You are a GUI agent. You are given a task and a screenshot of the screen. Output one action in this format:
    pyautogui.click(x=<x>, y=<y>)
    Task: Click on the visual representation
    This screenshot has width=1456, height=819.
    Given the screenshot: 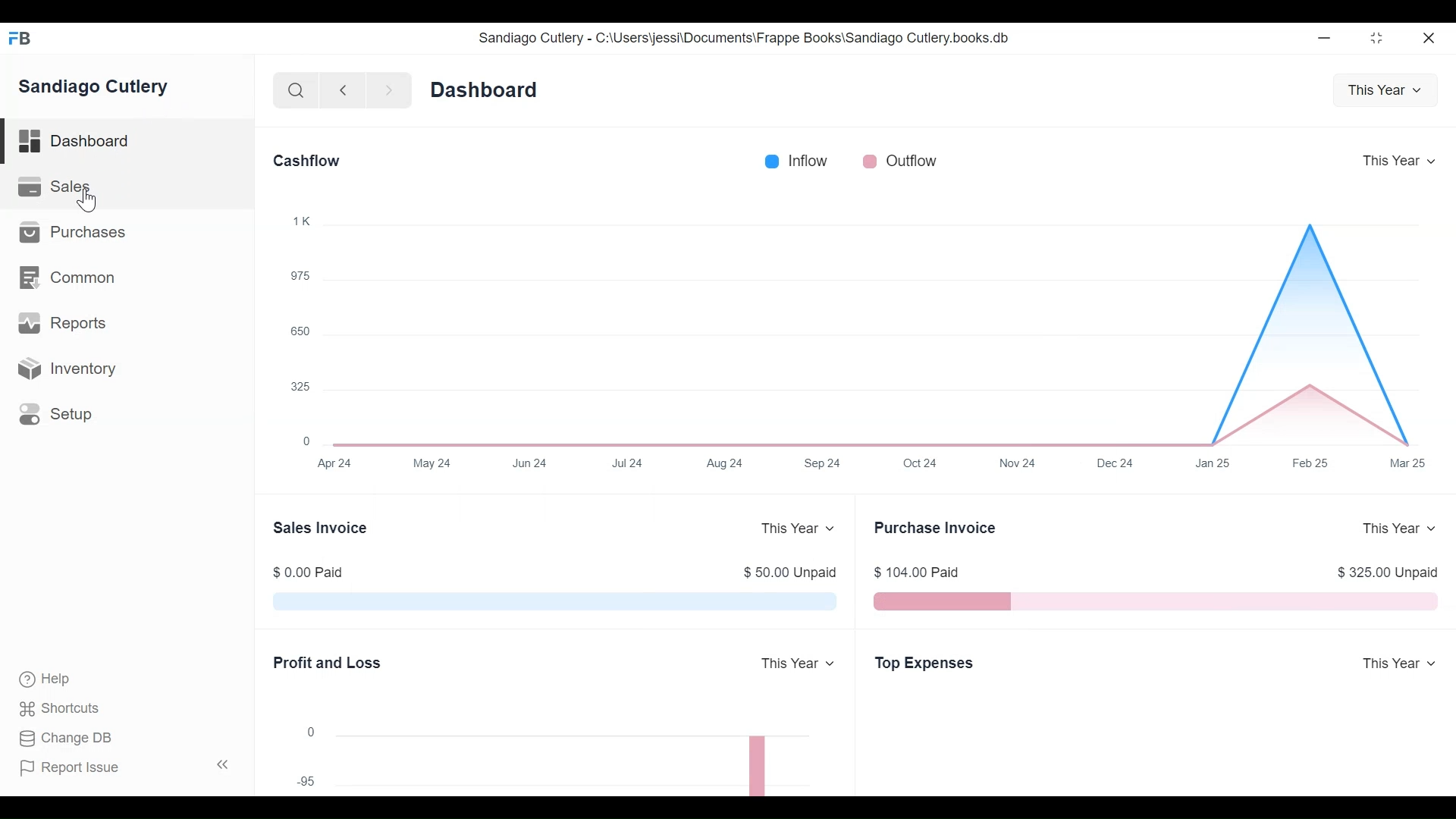 What is the action you would take?
    pyautogui.click(x=555, y=602)
    